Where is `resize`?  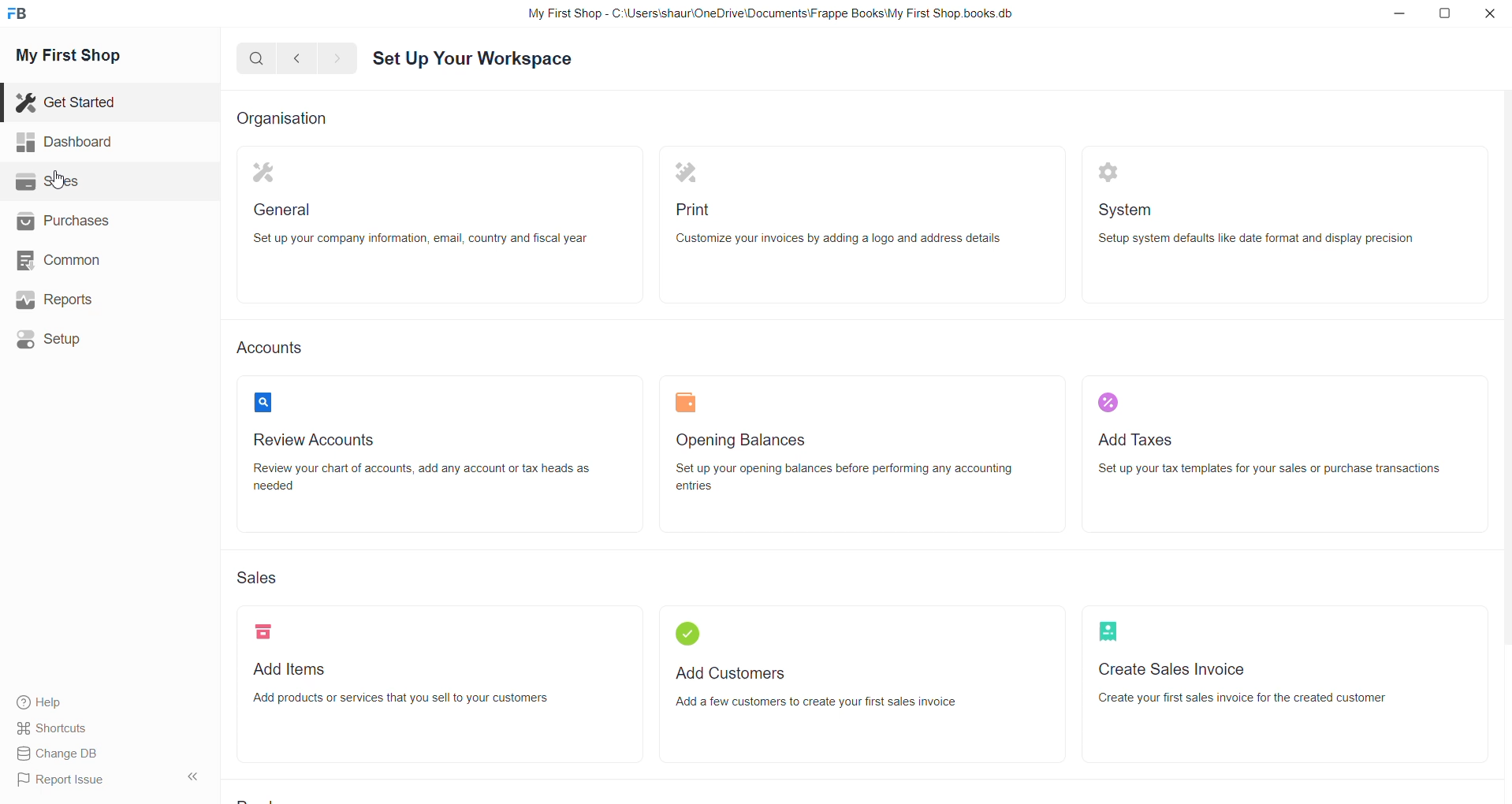 resize is located at coordinates (1447, 16).